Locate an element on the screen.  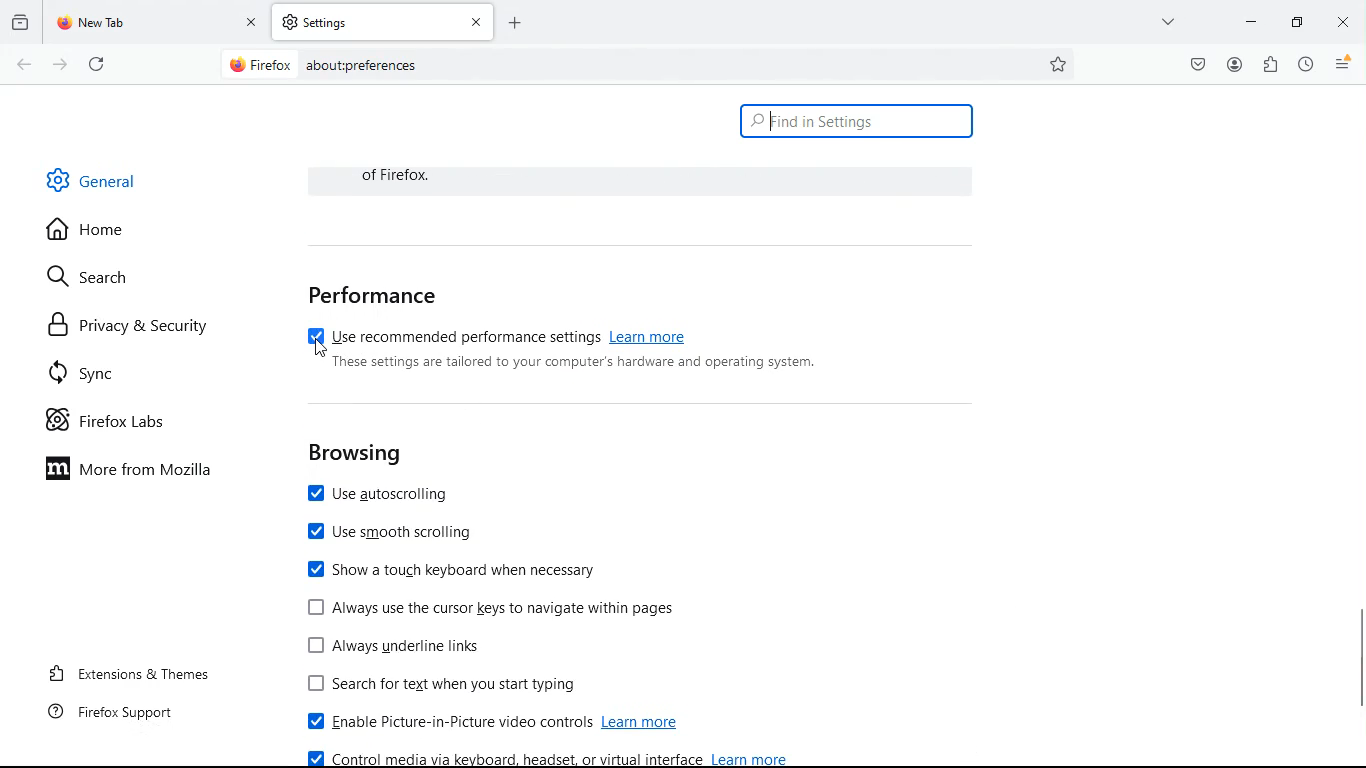
enable picture-in-picture video control learn more is located at coordinates (500, 723).